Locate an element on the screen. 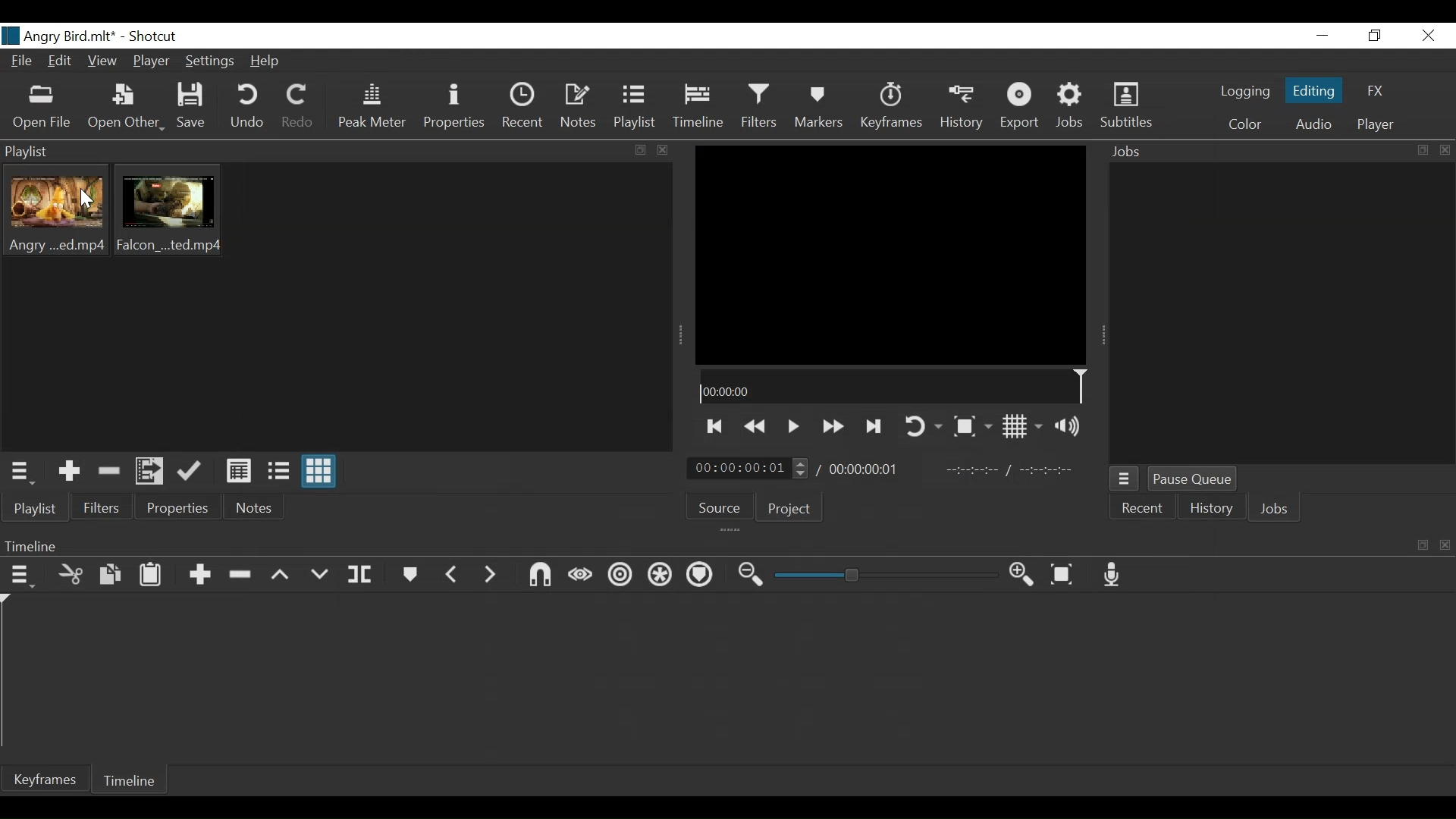  Markers is located at coordinates (411, 575).